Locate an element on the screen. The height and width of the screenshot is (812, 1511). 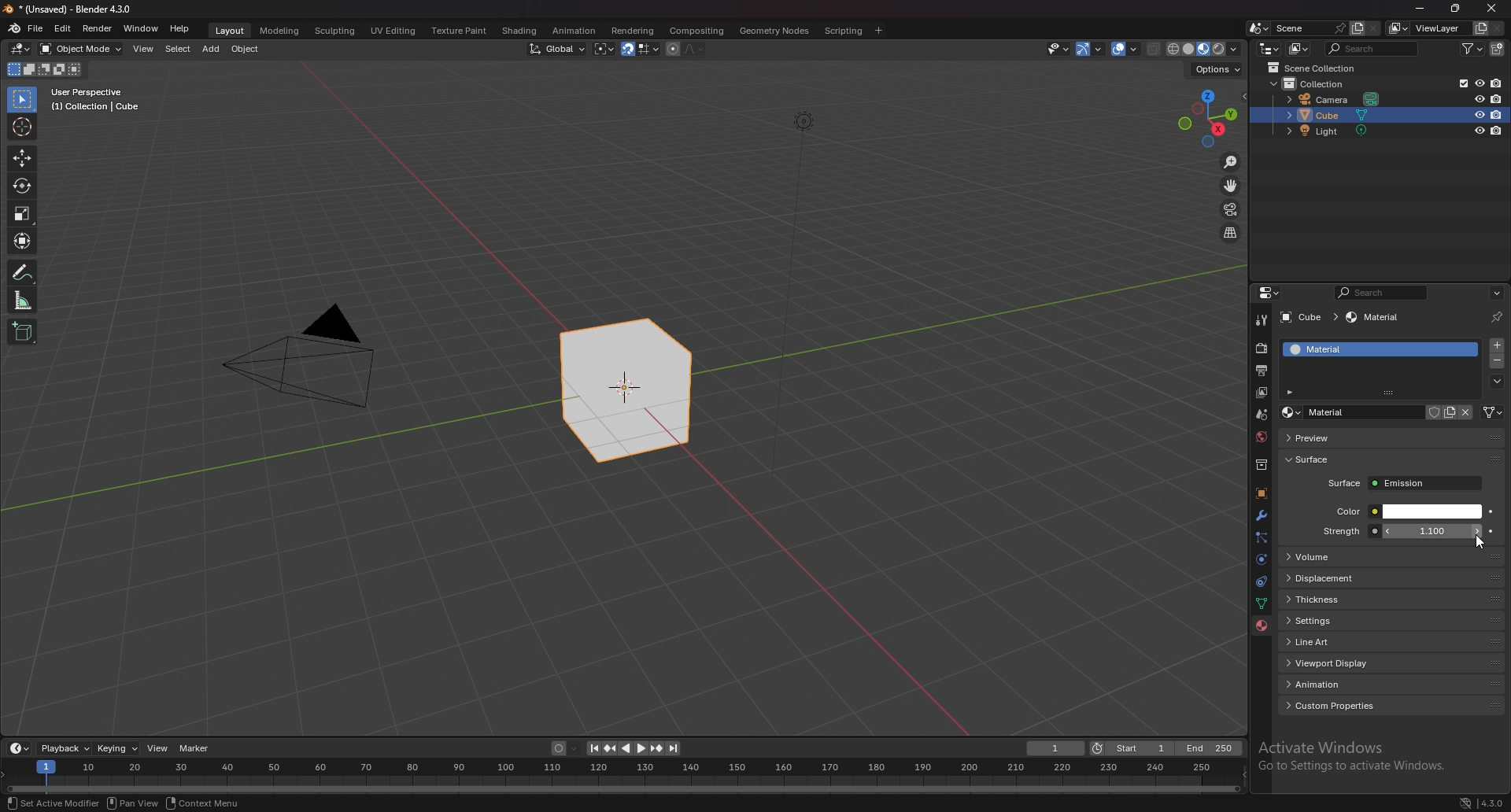
remove material is located at coordinates (1498, 363).